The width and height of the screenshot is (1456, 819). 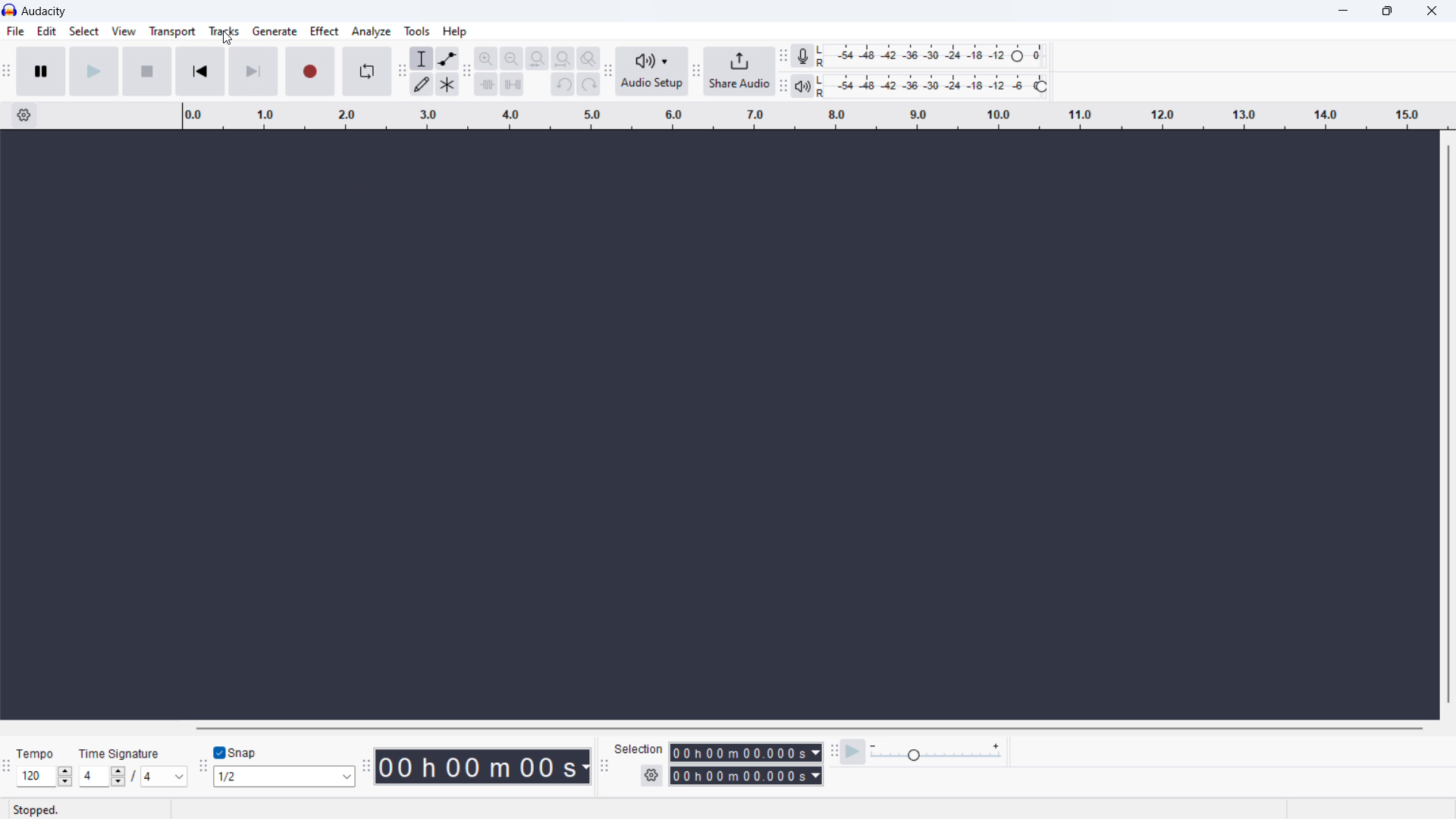 I want to click on fit project to width, so click(x=563, y=58).